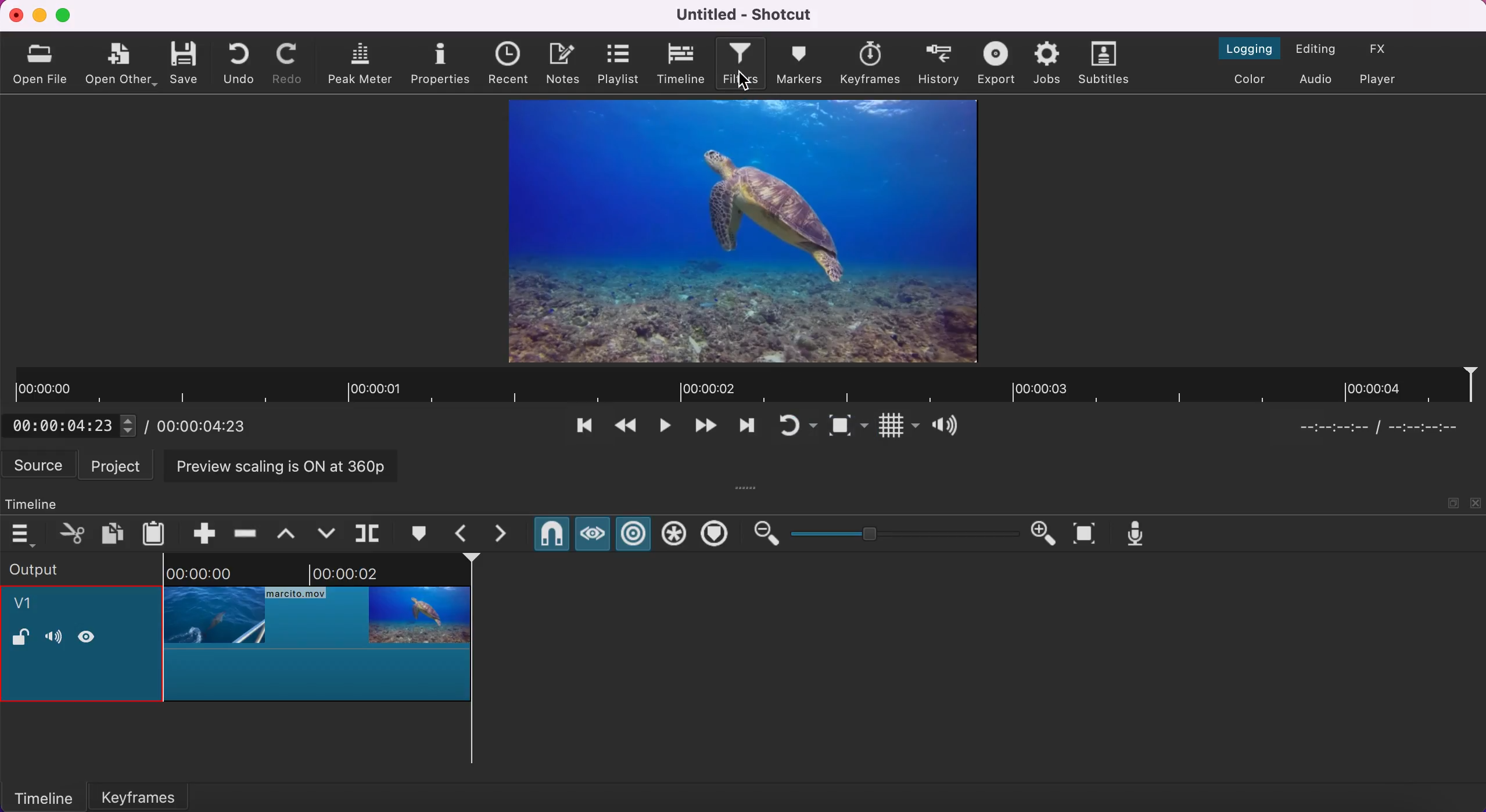 The width and height of the screenshot is (1486, 812). What do you see at coordinates (799, 63) in the screenshot?
I see `markers` at bounding box center [799, 63].